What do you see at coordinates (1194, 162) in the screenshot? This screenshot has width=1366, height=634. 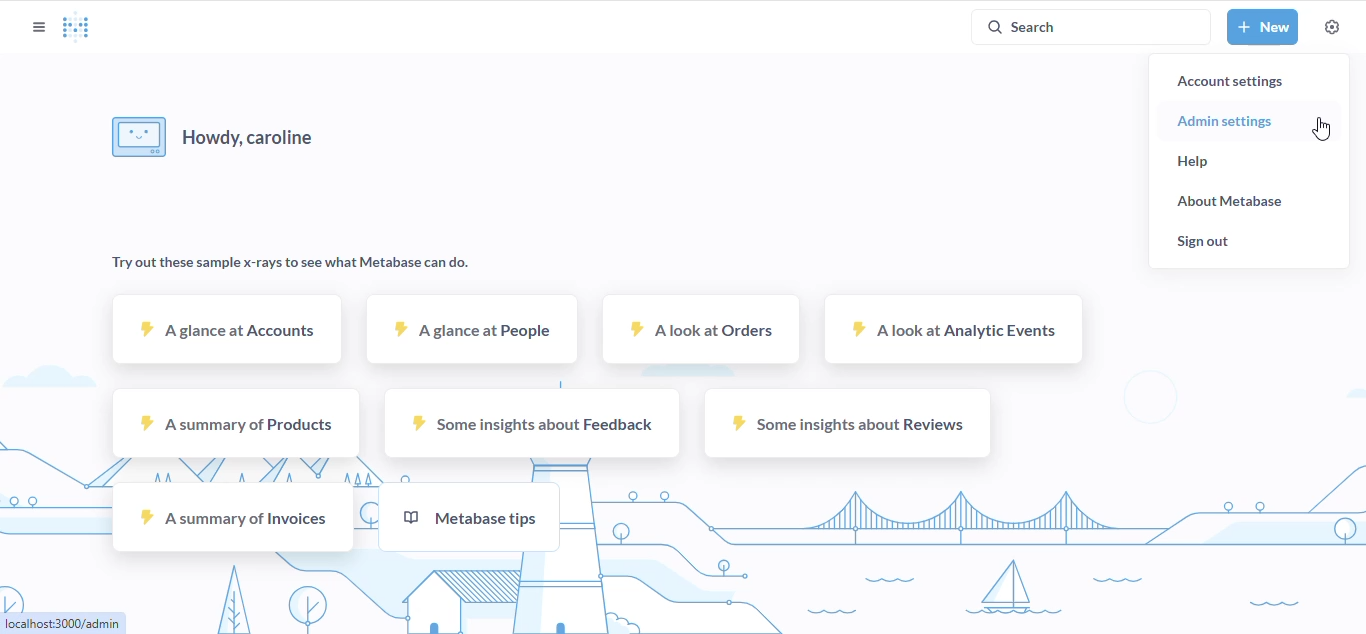 I see `help` at bounding box center [1194, 162].